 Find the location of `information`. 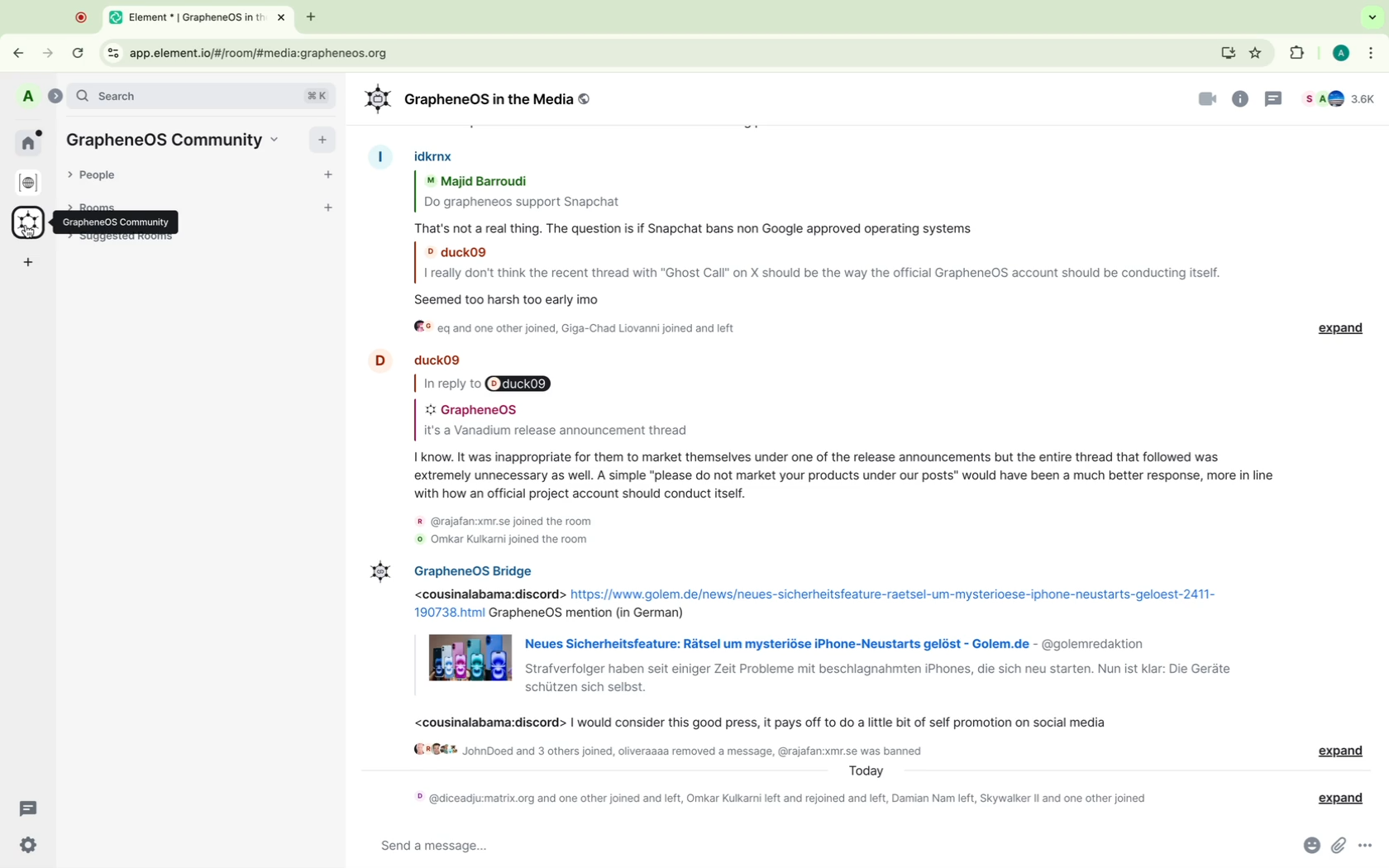

information is located at coordinates (1242, 98).